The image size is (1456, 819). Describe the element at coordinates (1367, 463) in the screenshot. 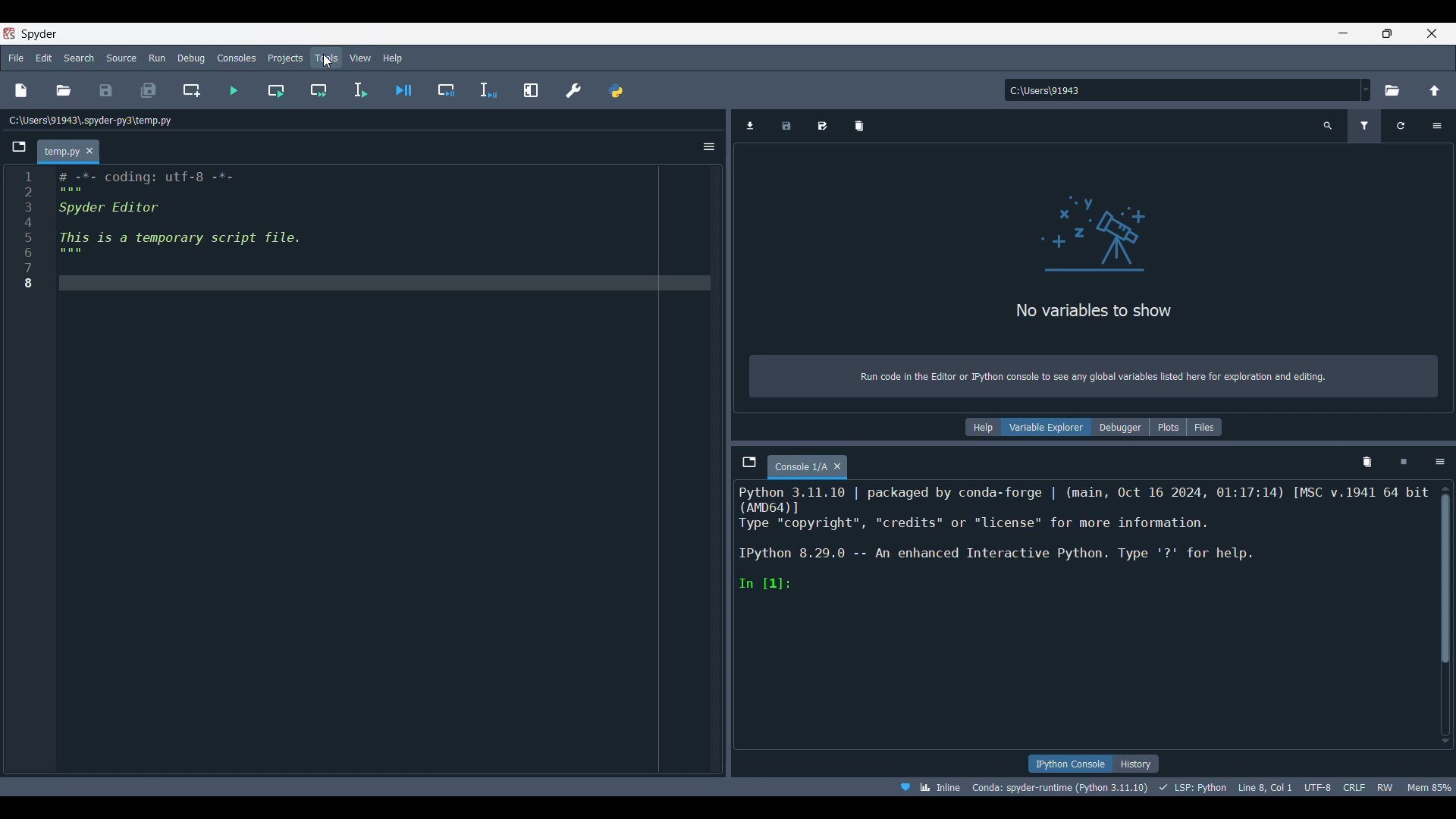

I see `Remove all variables from namespace` at that location.